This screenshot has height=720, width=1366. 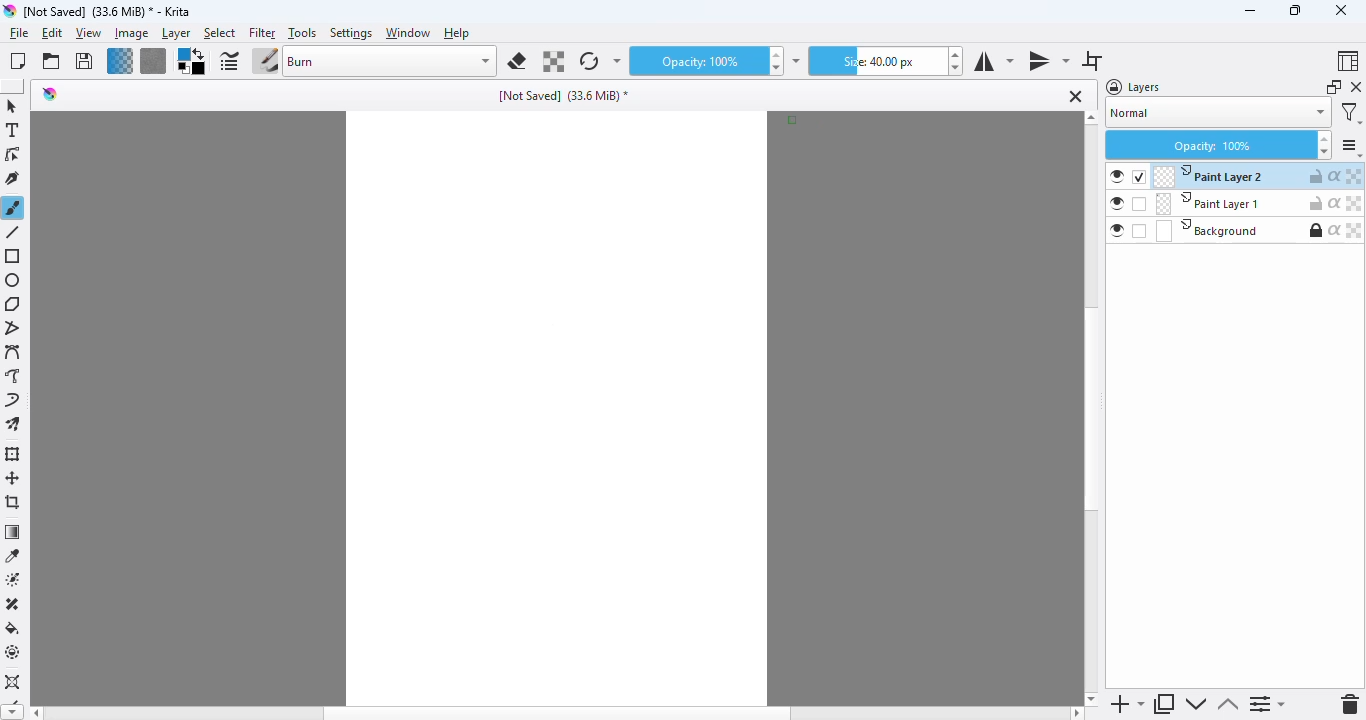 What do you see at coordinates (1346, 61) in the screenshot?
I see `choose workspace` at bounding box center [1346, 61].